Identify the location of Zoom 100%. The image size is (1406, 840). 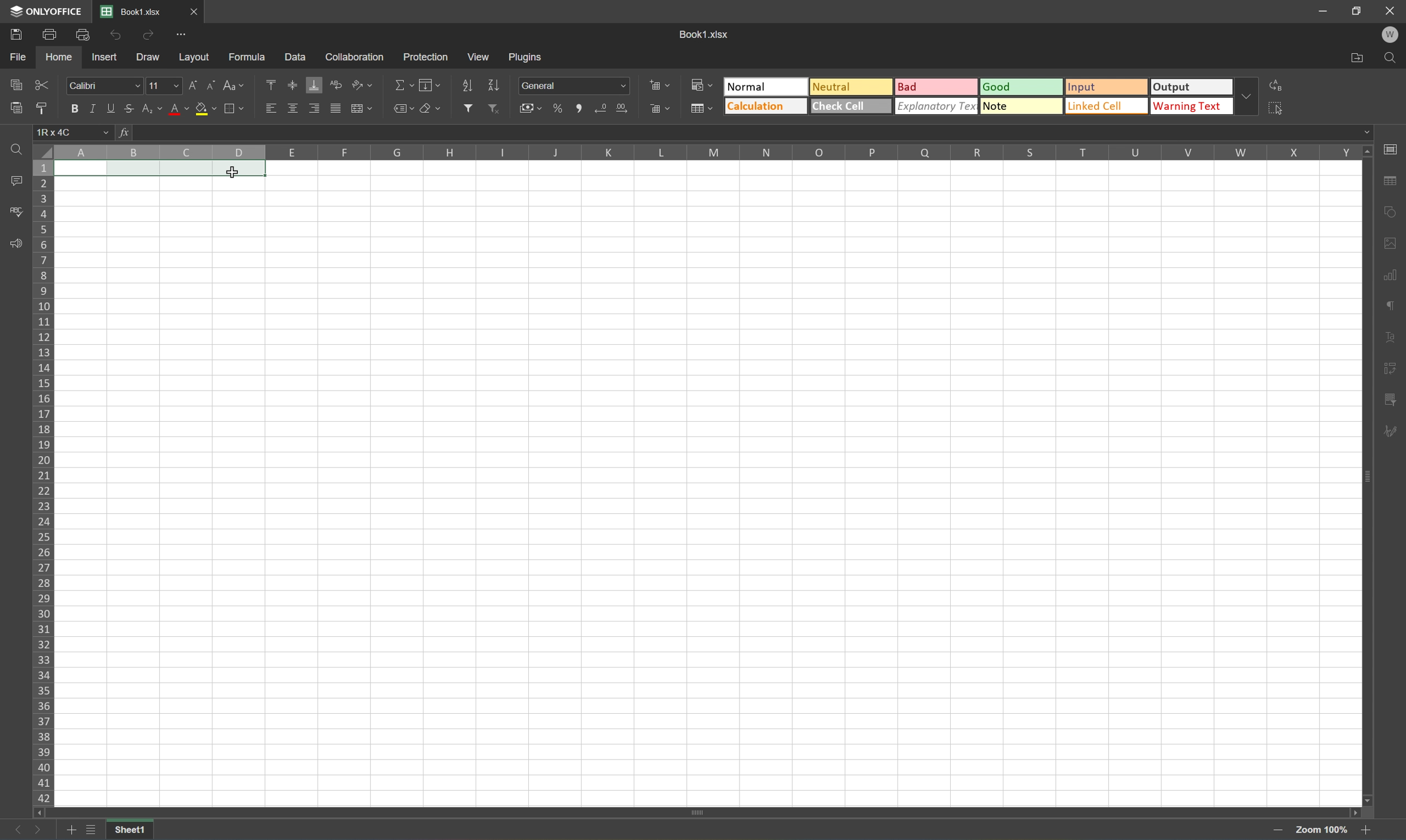
(1319, 830).